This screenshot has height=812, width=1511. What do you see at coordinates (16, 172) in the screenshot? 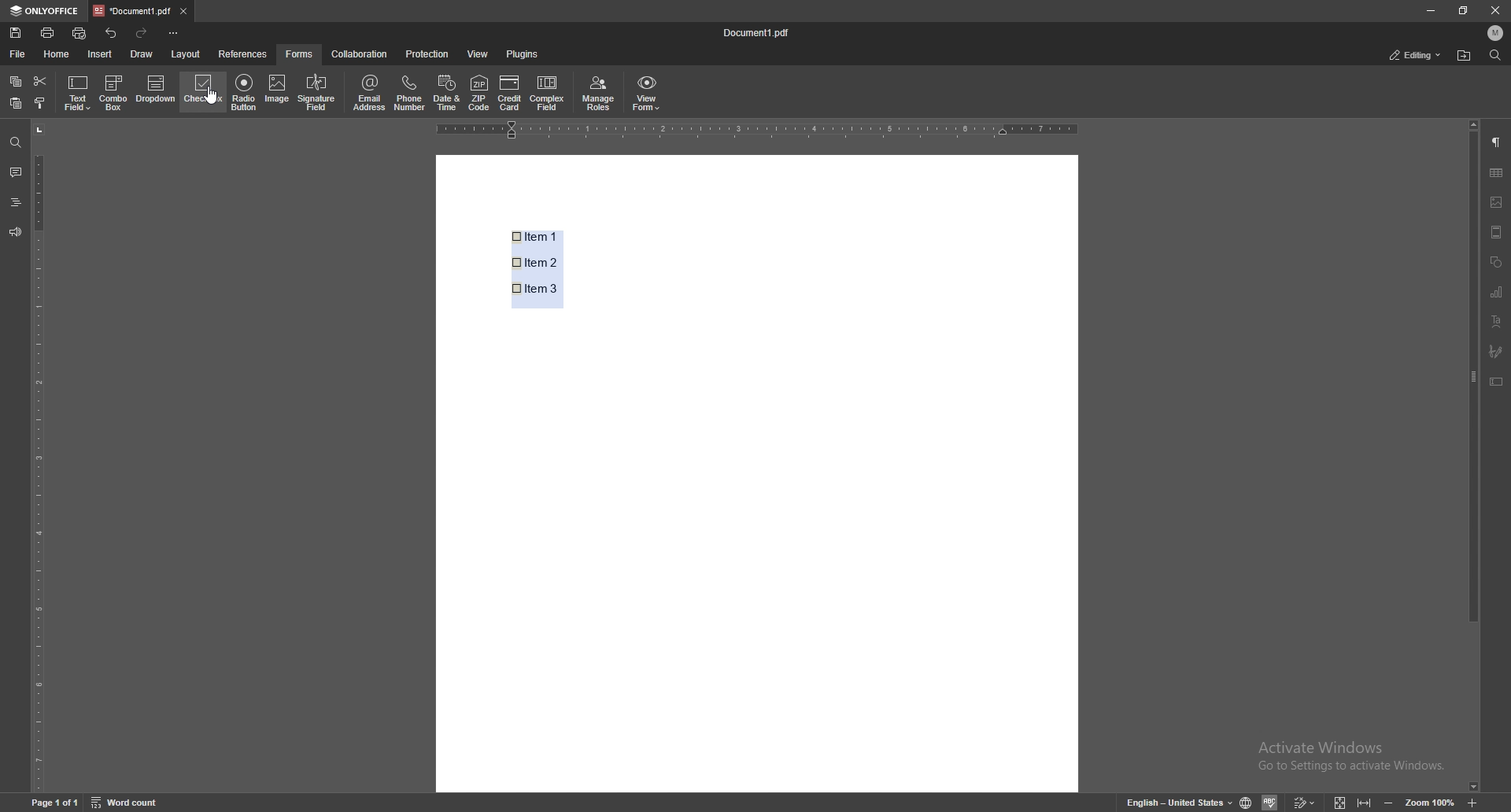
I see `comment` at bounding box center [16, 172].